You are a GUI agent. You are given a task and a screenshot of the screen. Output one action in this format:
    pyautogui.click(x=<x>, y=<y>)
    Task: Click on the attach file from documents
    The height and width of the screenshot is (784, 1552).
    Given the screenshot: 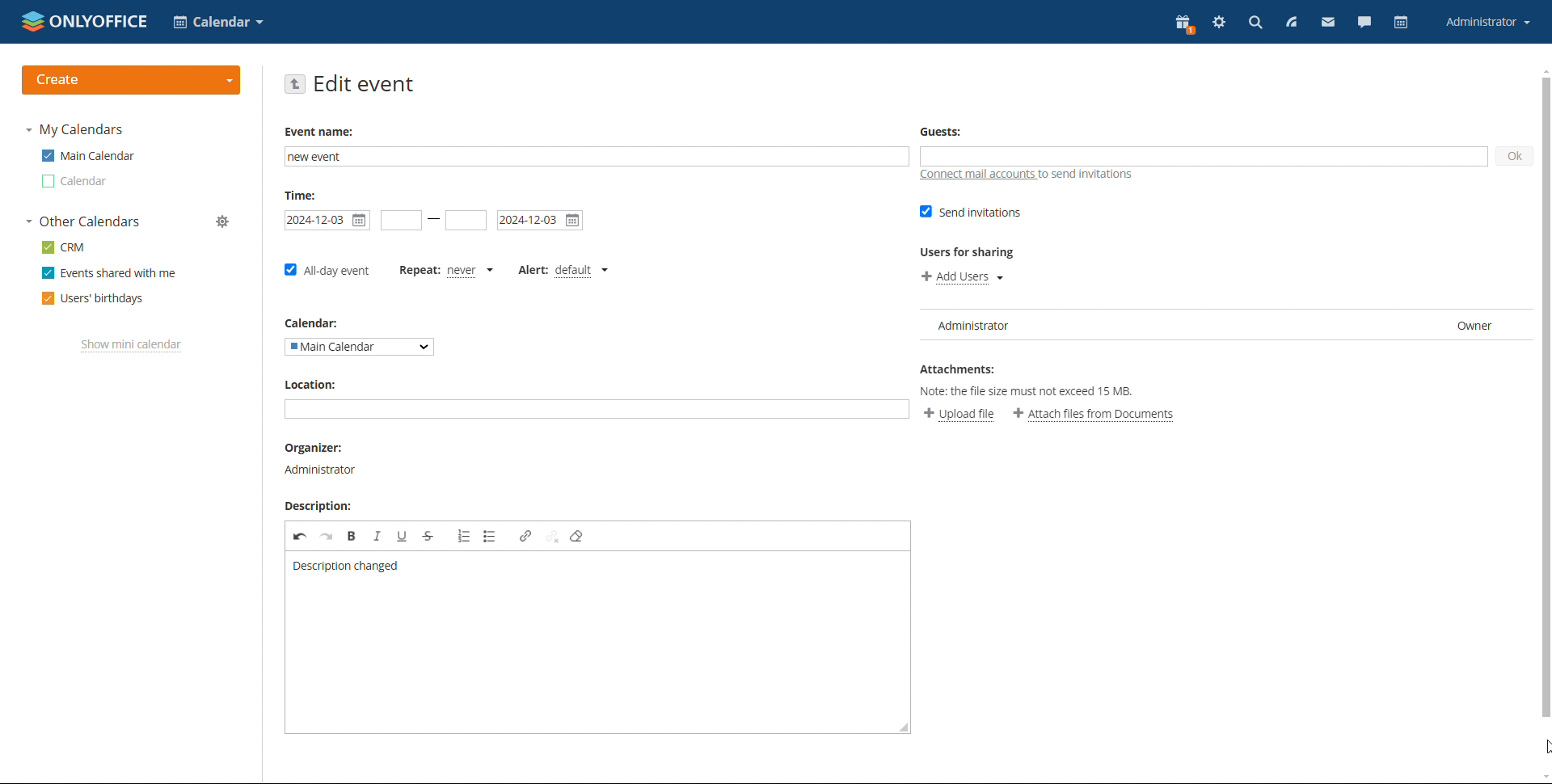 What is the action you would take?
    pyautogui.click(x=1094, y=415)
    